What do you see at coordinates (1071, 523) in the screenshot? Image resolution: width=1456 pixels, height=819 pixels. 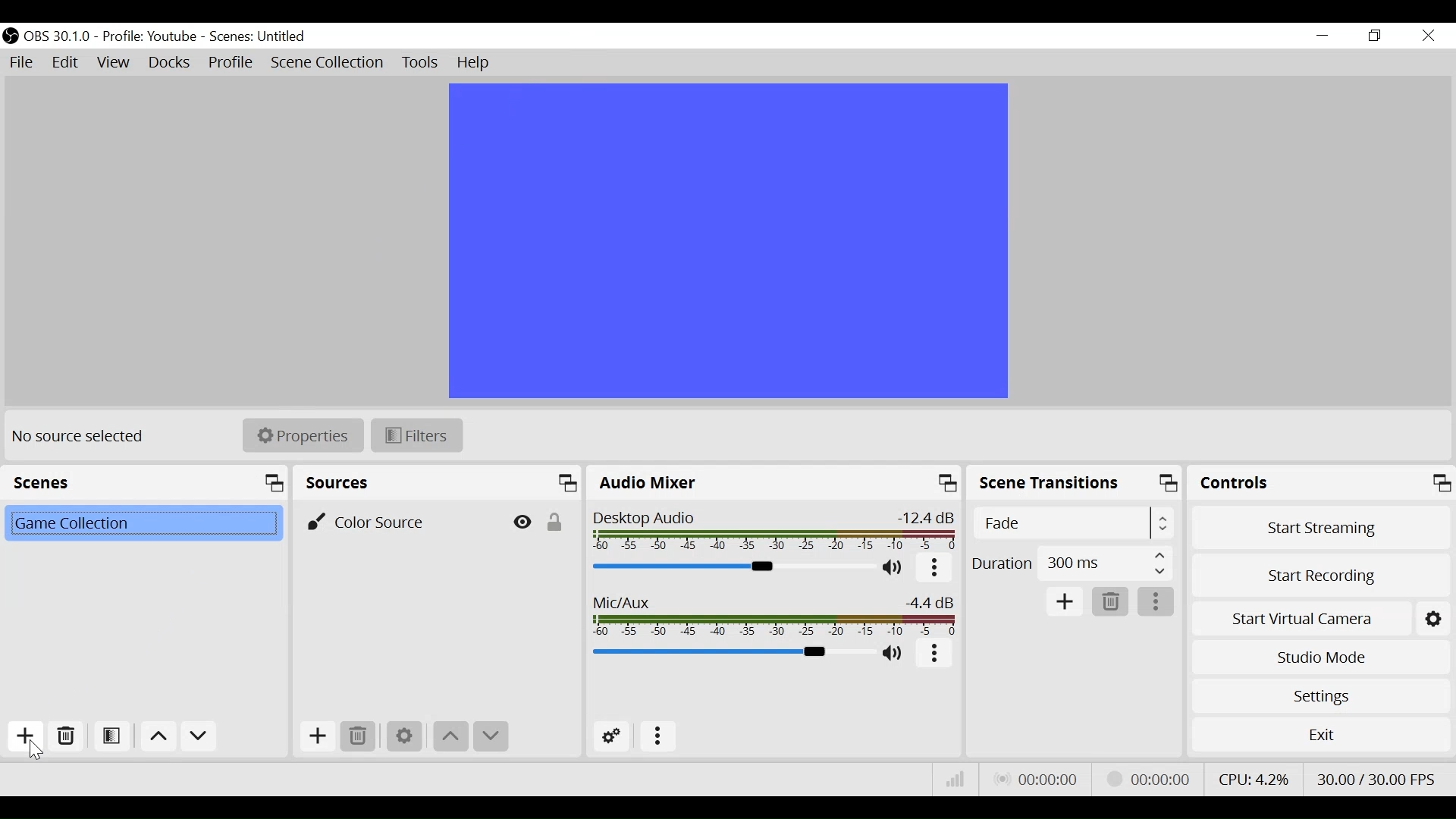 I see `(un)select Scene Transition` at bounding box center [1071, 523].